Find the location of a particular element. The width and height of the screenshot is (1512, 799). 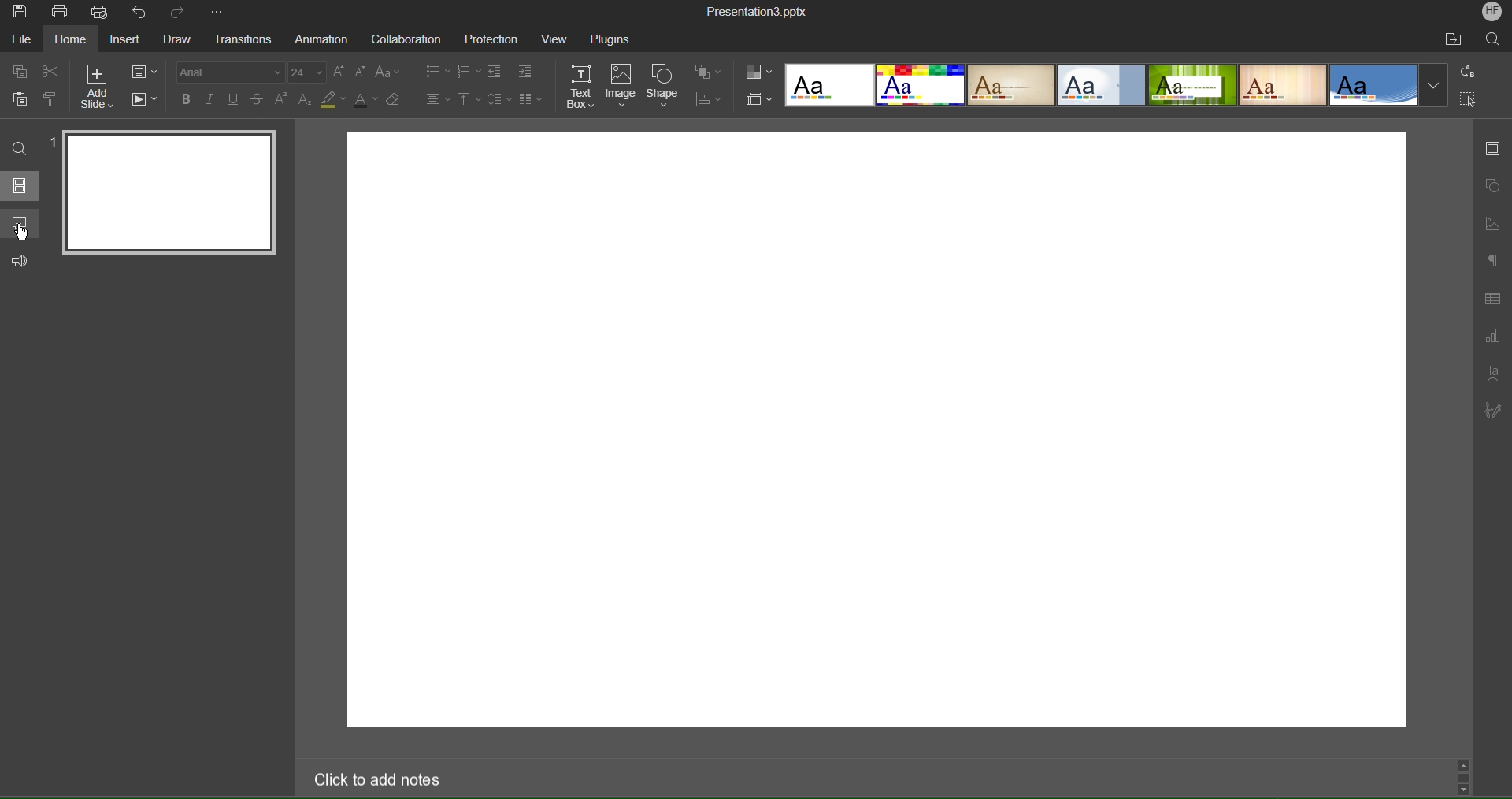

Search is located at coordinates (1494, 40).